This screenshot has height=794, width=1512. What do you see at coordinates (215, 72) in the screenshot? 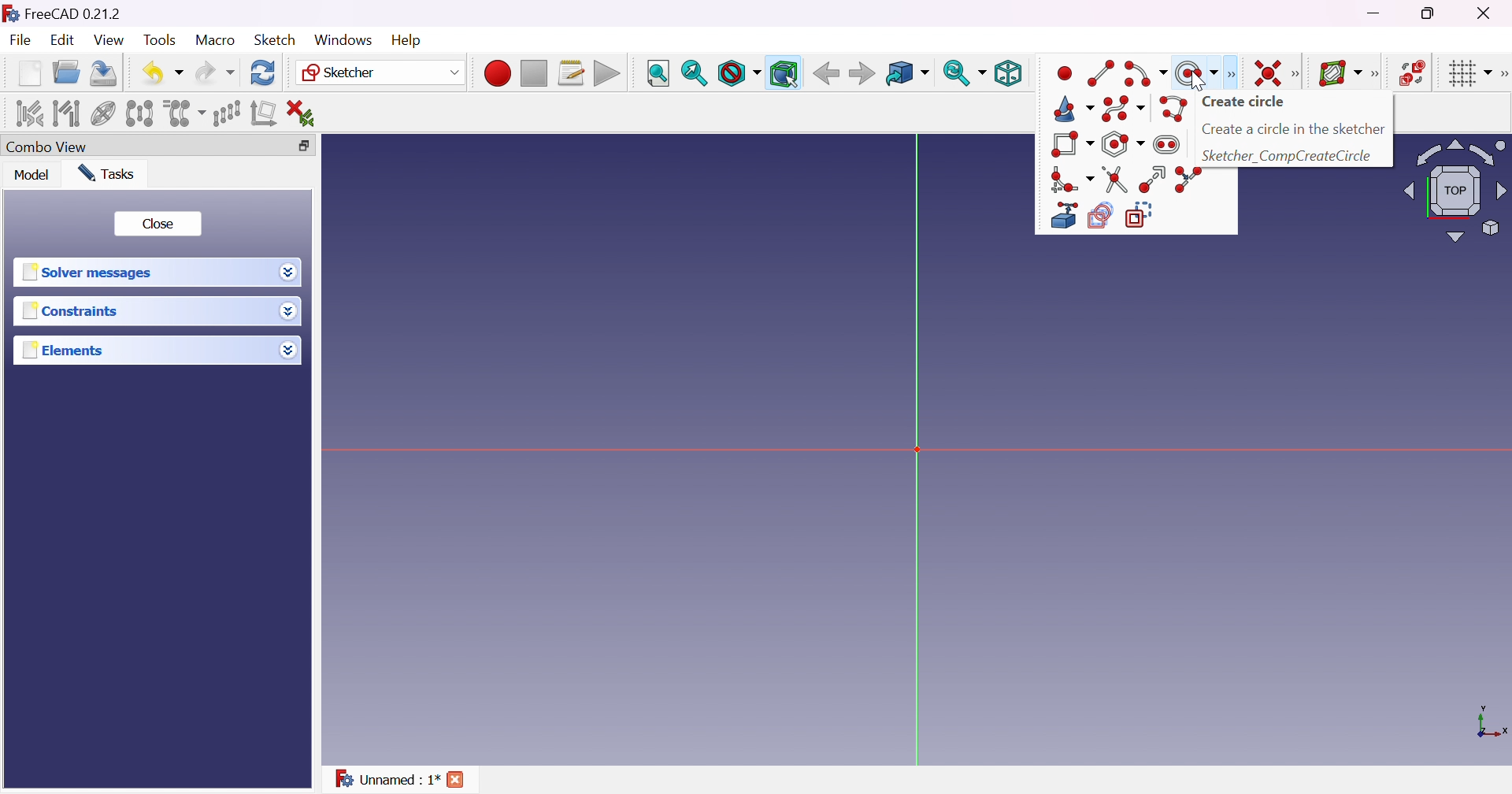
I see `Redo` at bounding box center [215, 72].